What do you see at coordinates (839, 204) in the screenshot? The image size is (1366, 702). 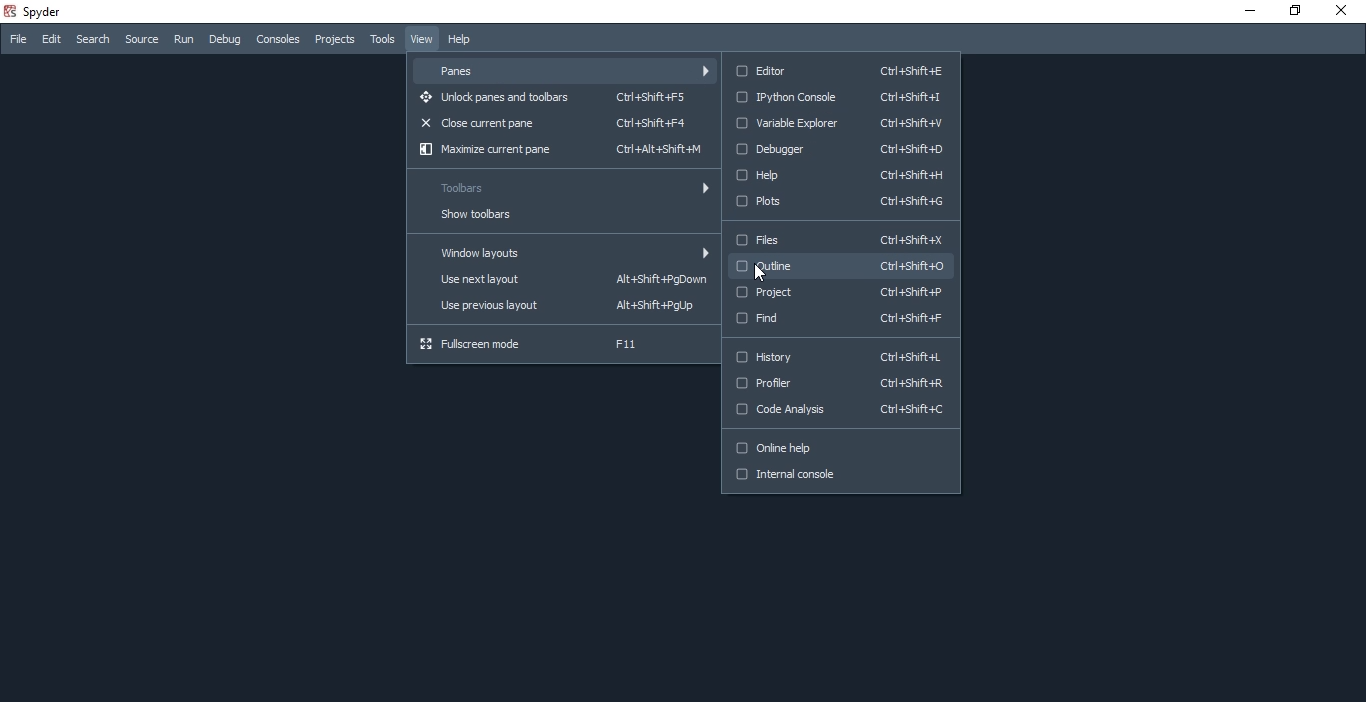 I see `Plots` at bounding box center [839, 204].